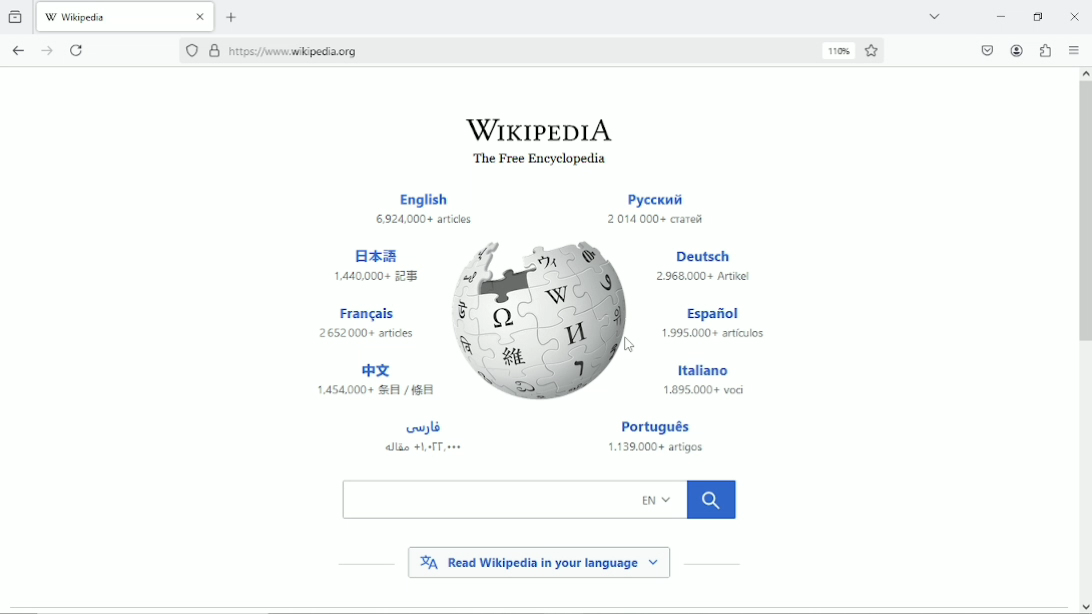 The width and height of the screenshot is (1092, 614). I want to click on search, so click(539, 499).